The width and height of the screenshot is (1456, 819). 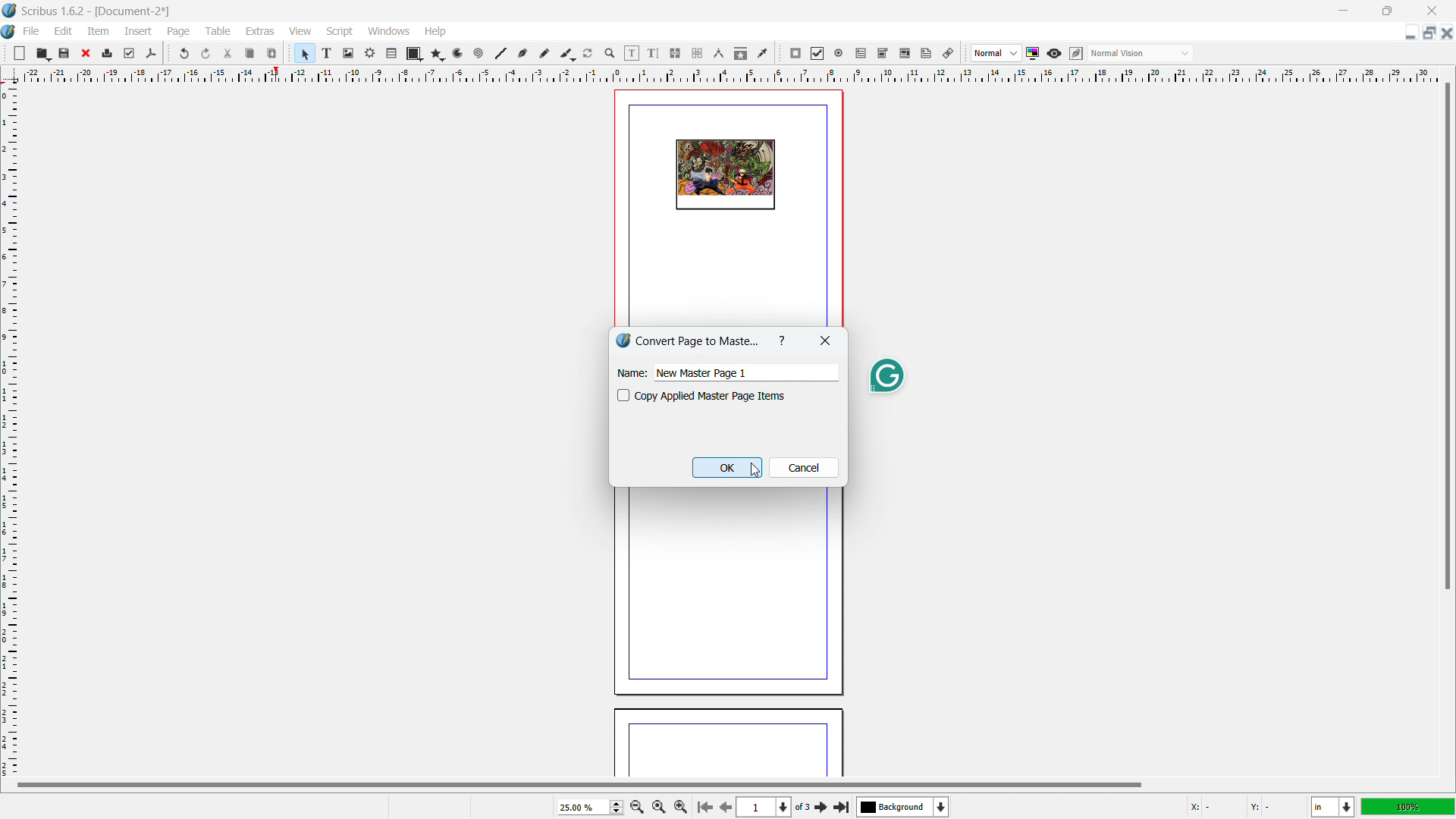 I want to click on link annotation, so click(x=949, y=53).